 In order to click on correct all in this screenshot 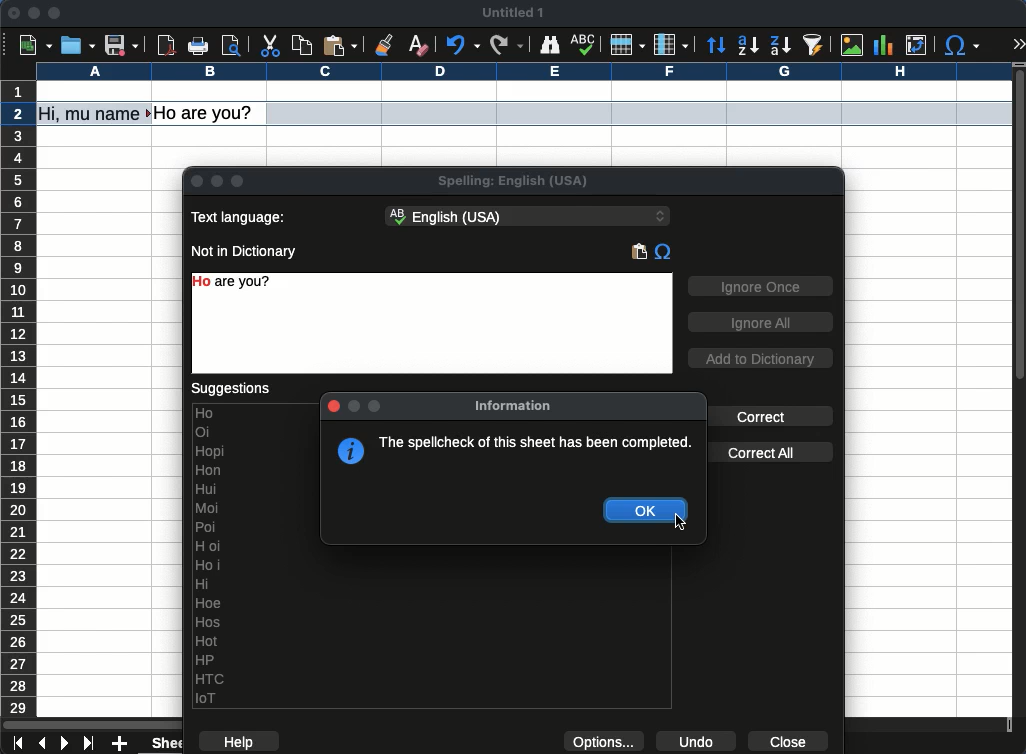, I will do `click(774, 452)`.